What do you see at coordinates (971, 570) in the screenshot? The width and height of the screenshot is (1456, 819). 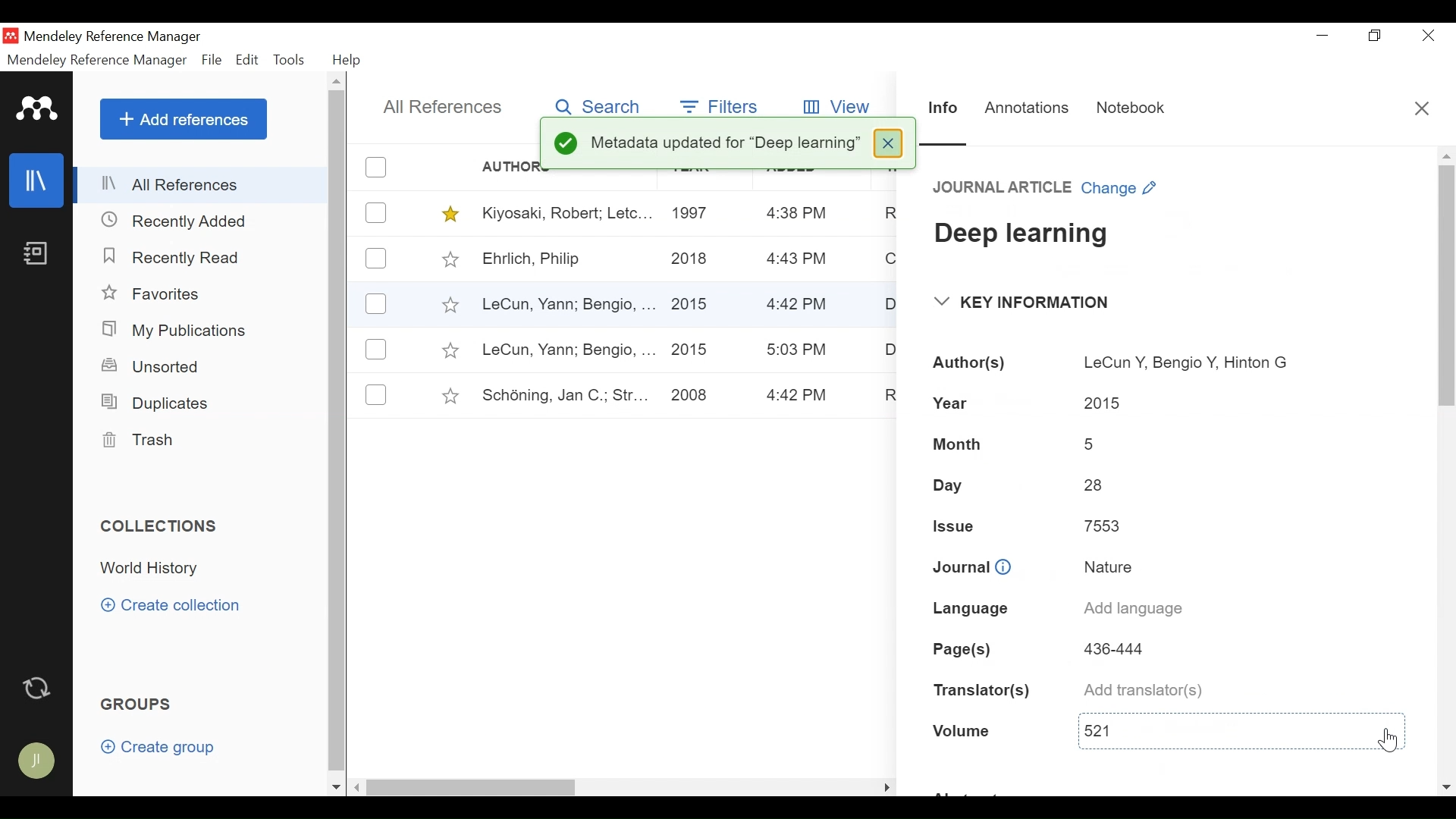 I see `Journal` at bounding box center [971, 570].